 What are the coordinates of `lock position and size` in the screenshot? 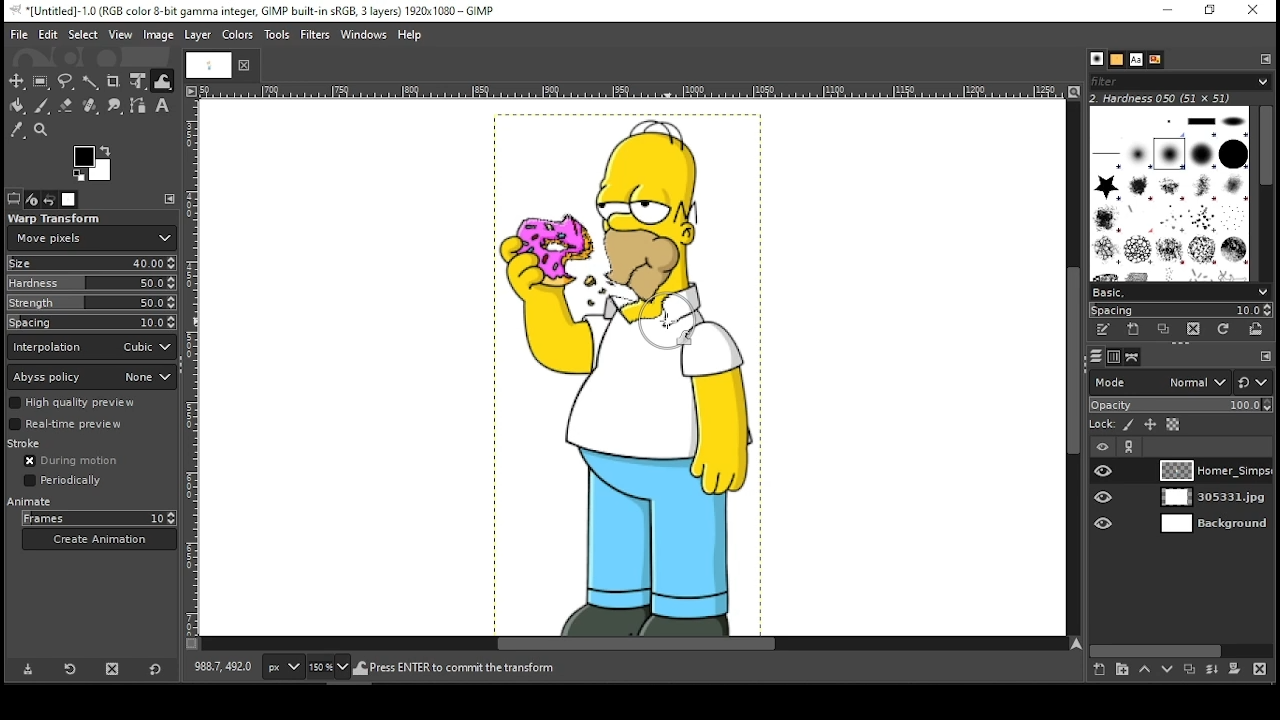 It's located at (1150, 424).